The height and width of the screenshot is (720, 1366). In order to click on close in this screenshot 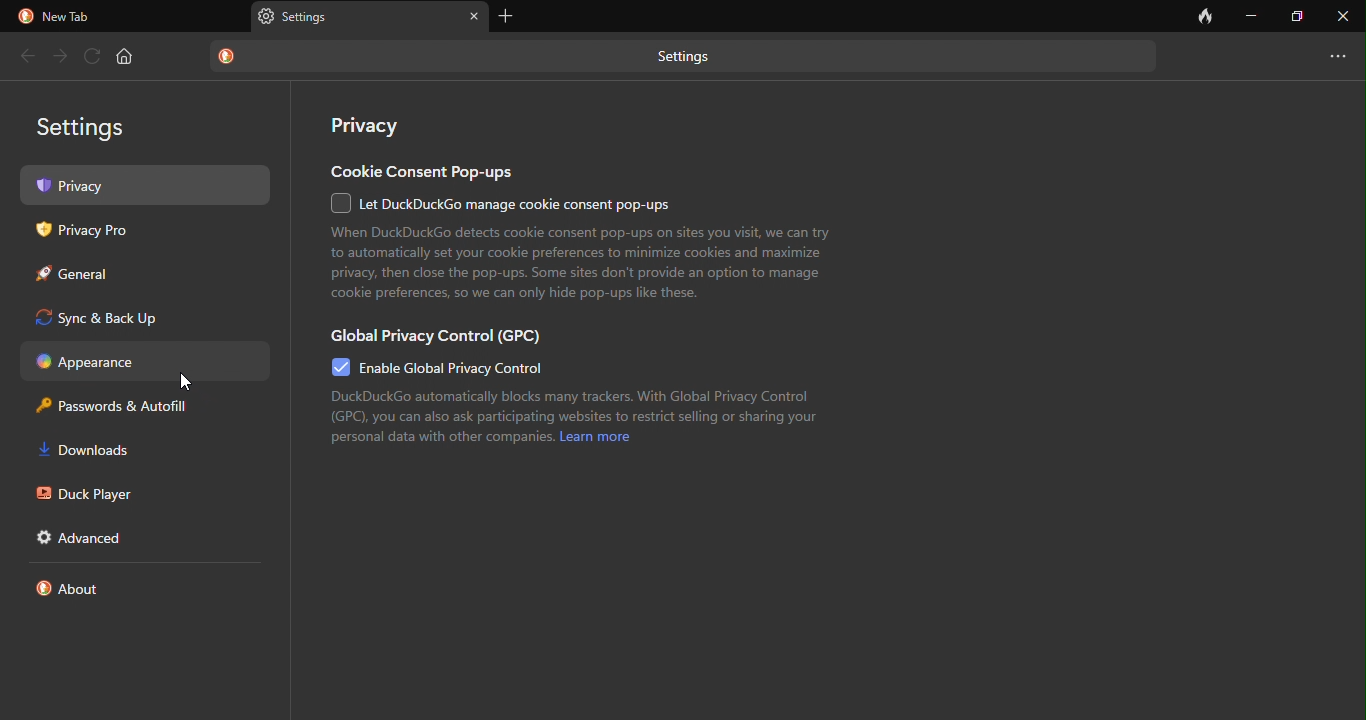, I will do `click(474, 16)`.